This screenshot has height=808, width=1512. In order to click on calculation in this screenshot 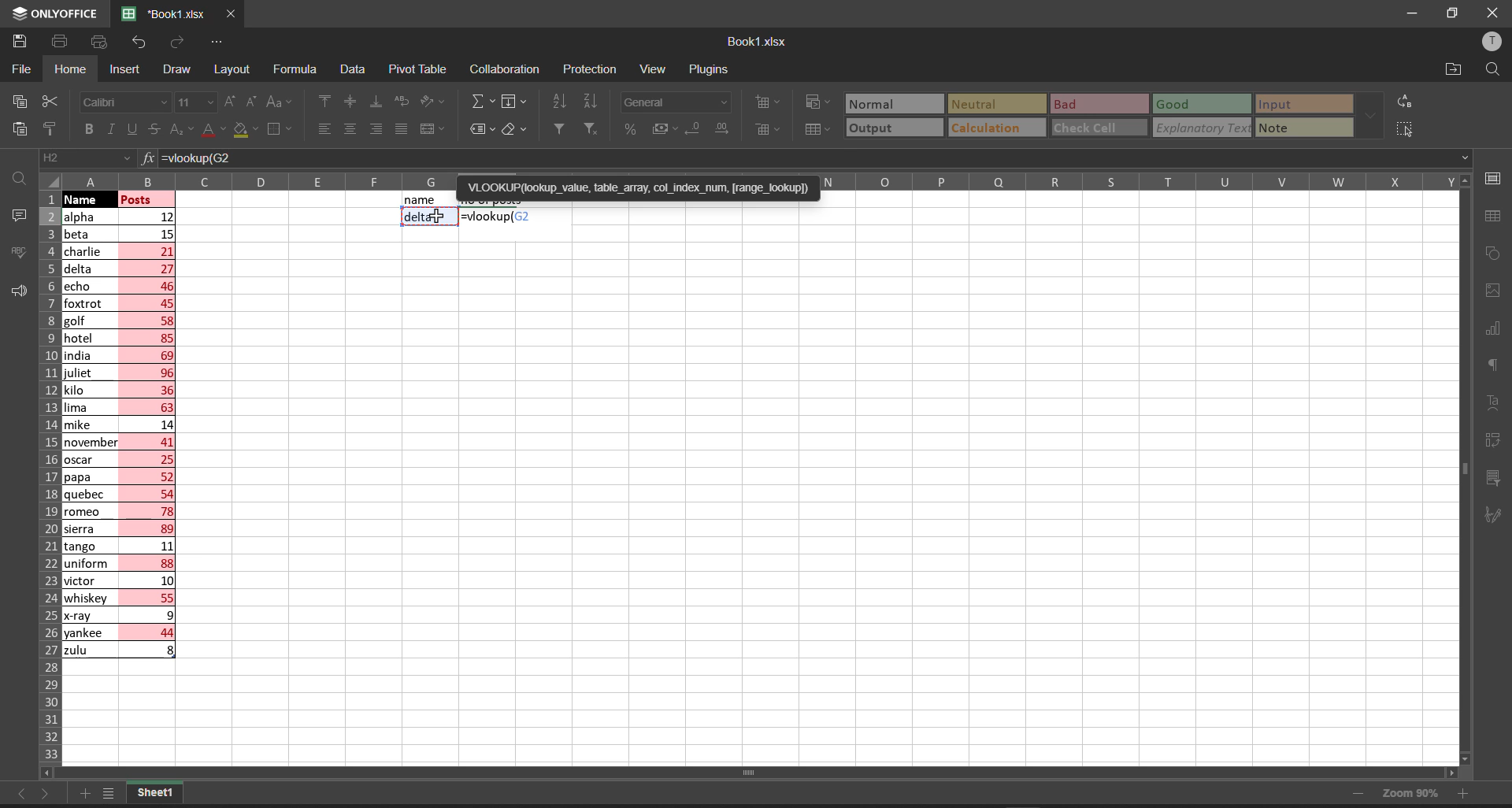, I will do `click(993, 128)`.